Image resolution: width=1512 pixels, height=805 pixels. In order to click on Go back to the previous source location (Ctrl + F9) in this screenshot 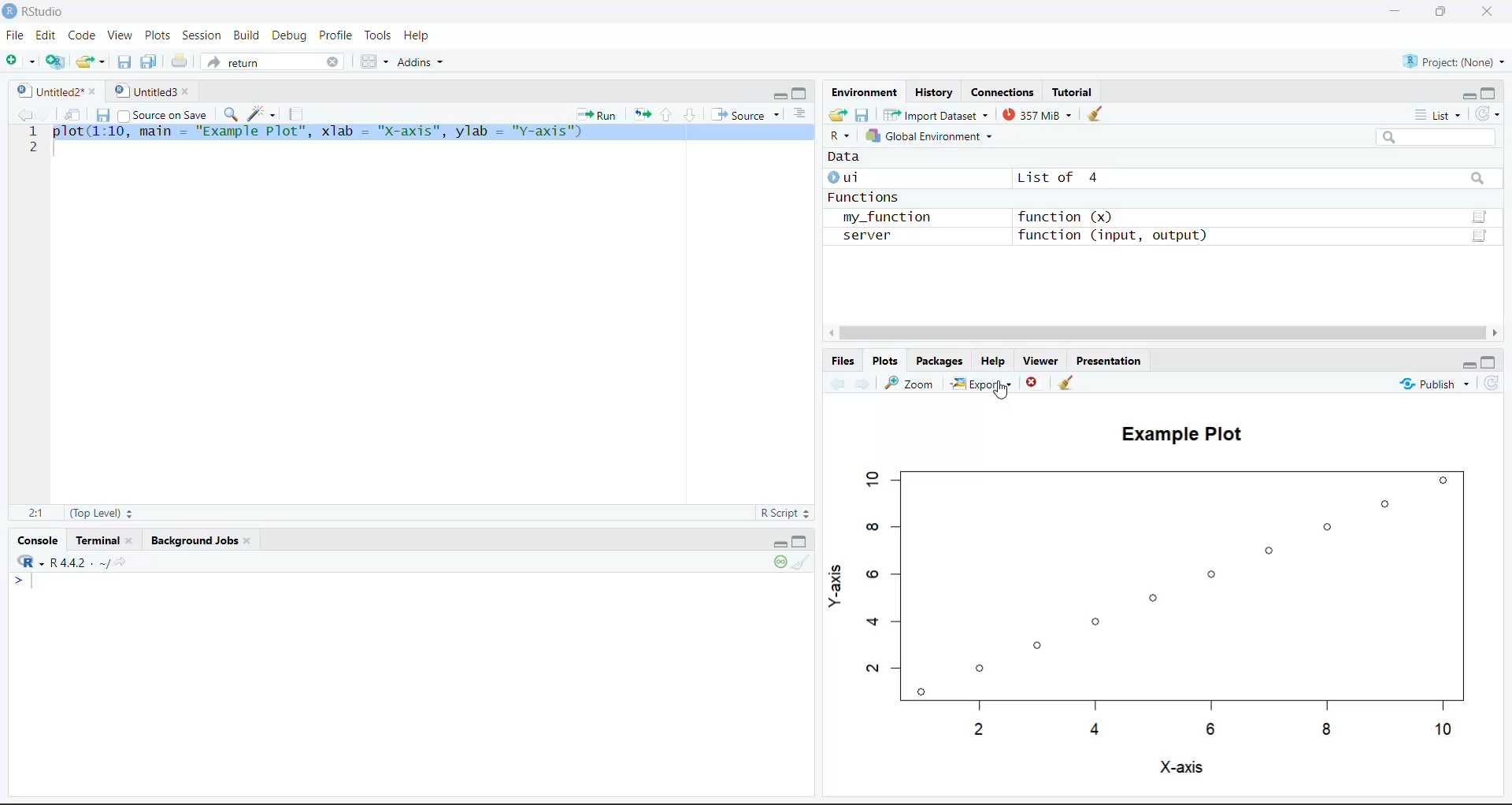, I will do `click(21, 113)`.